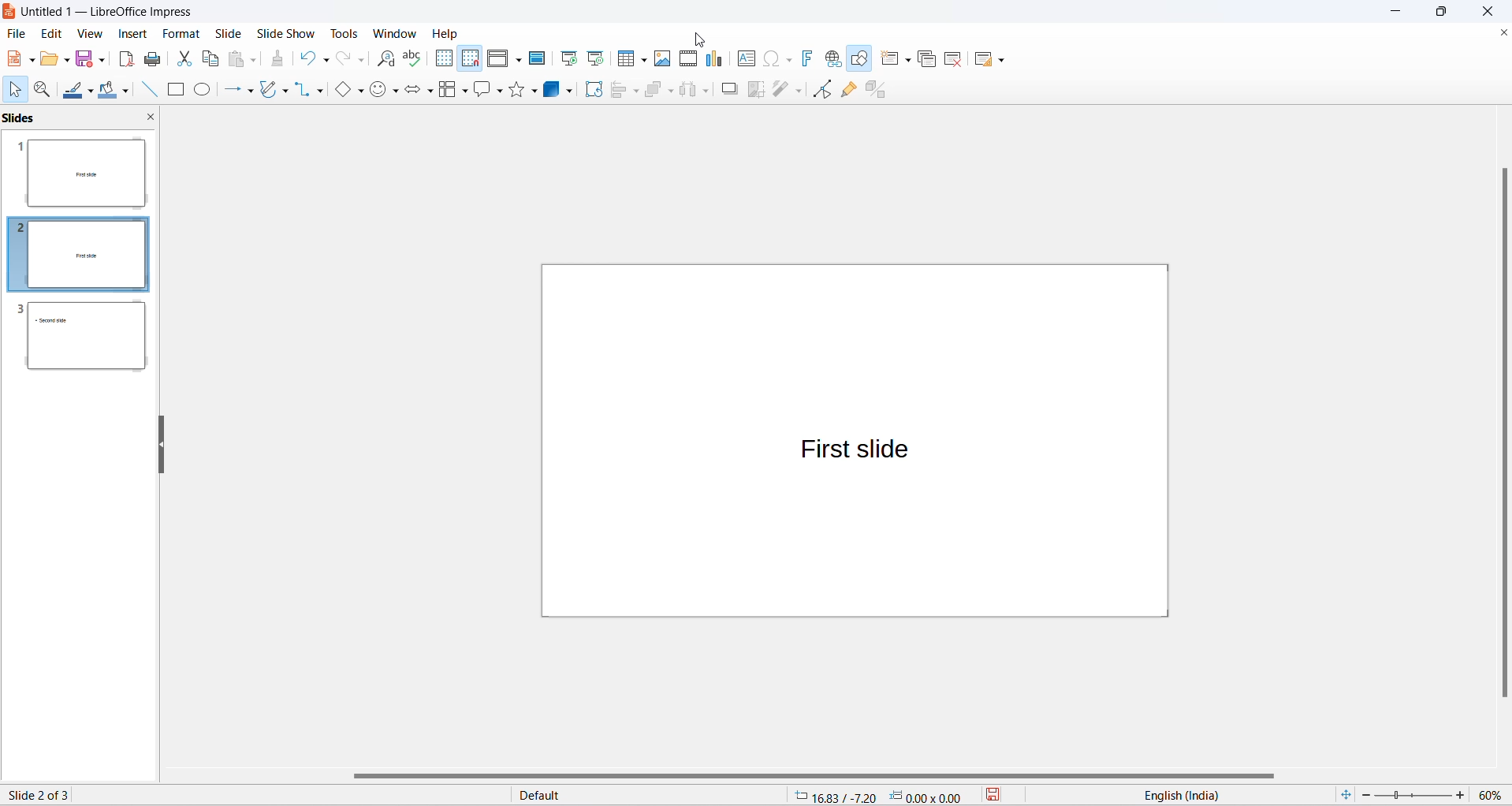 This screenshot has height=806, width=1512. Describe the element at coordinates (86, 58) in the screenshot. I see `save` at that location.